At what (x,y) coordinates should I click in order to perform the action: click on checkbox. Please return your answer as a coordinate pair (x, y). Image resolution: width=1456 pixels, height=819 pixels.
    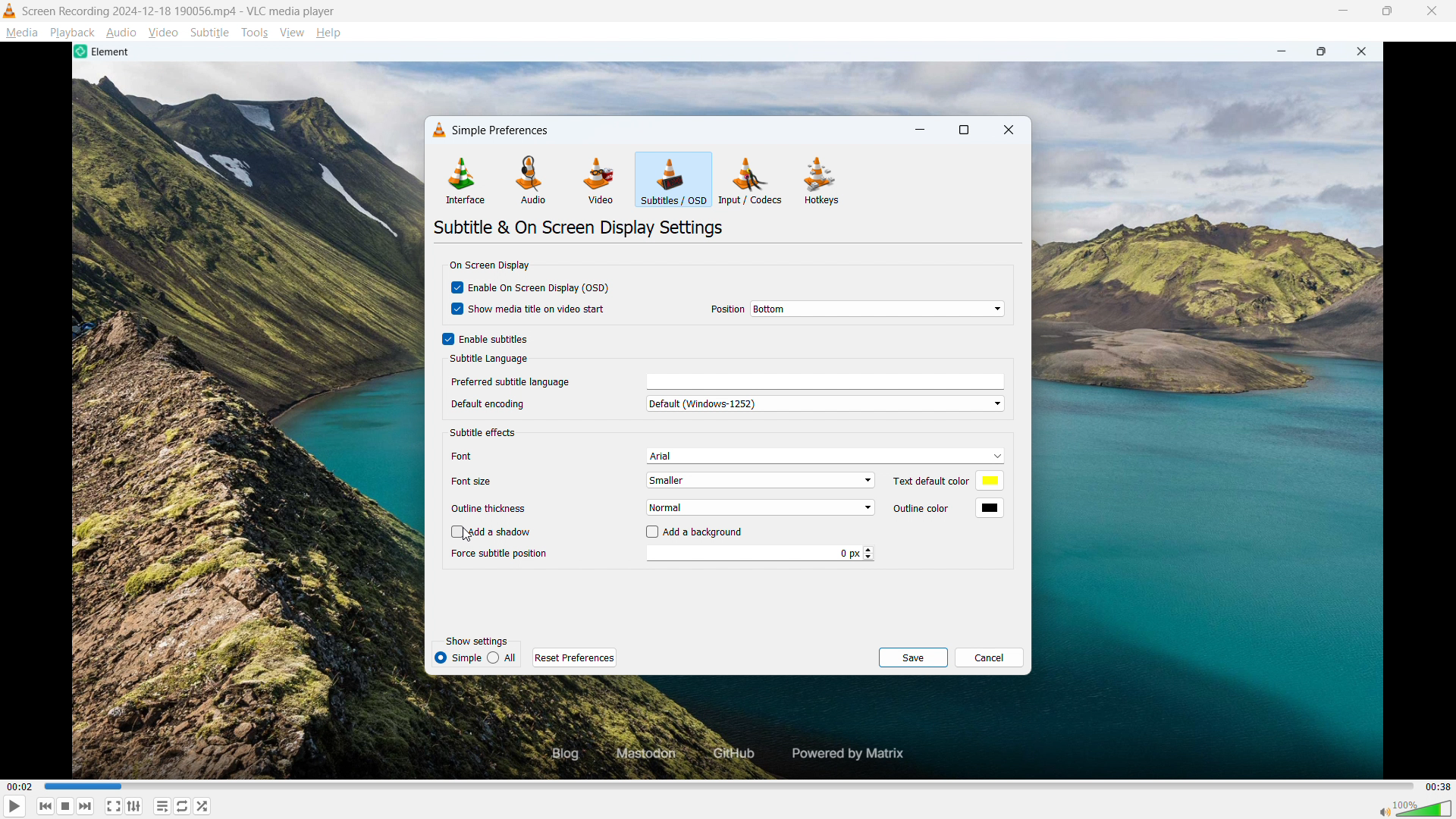
    Looking at the image, I should click on (445, 338).